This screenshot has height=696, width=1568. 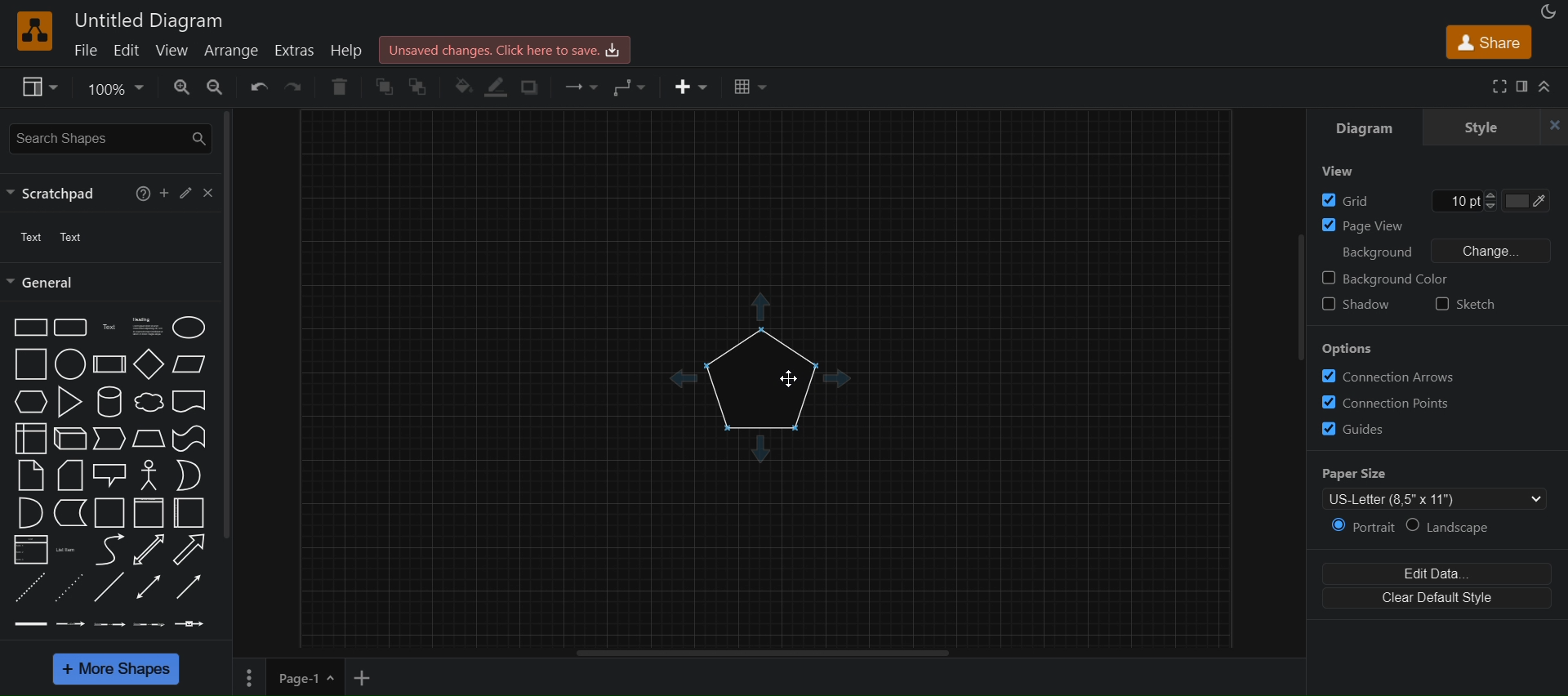 What do you see at coordinates (760, 380) in the screenshot?
I see `pentagon` at bounding box center [760, 380].